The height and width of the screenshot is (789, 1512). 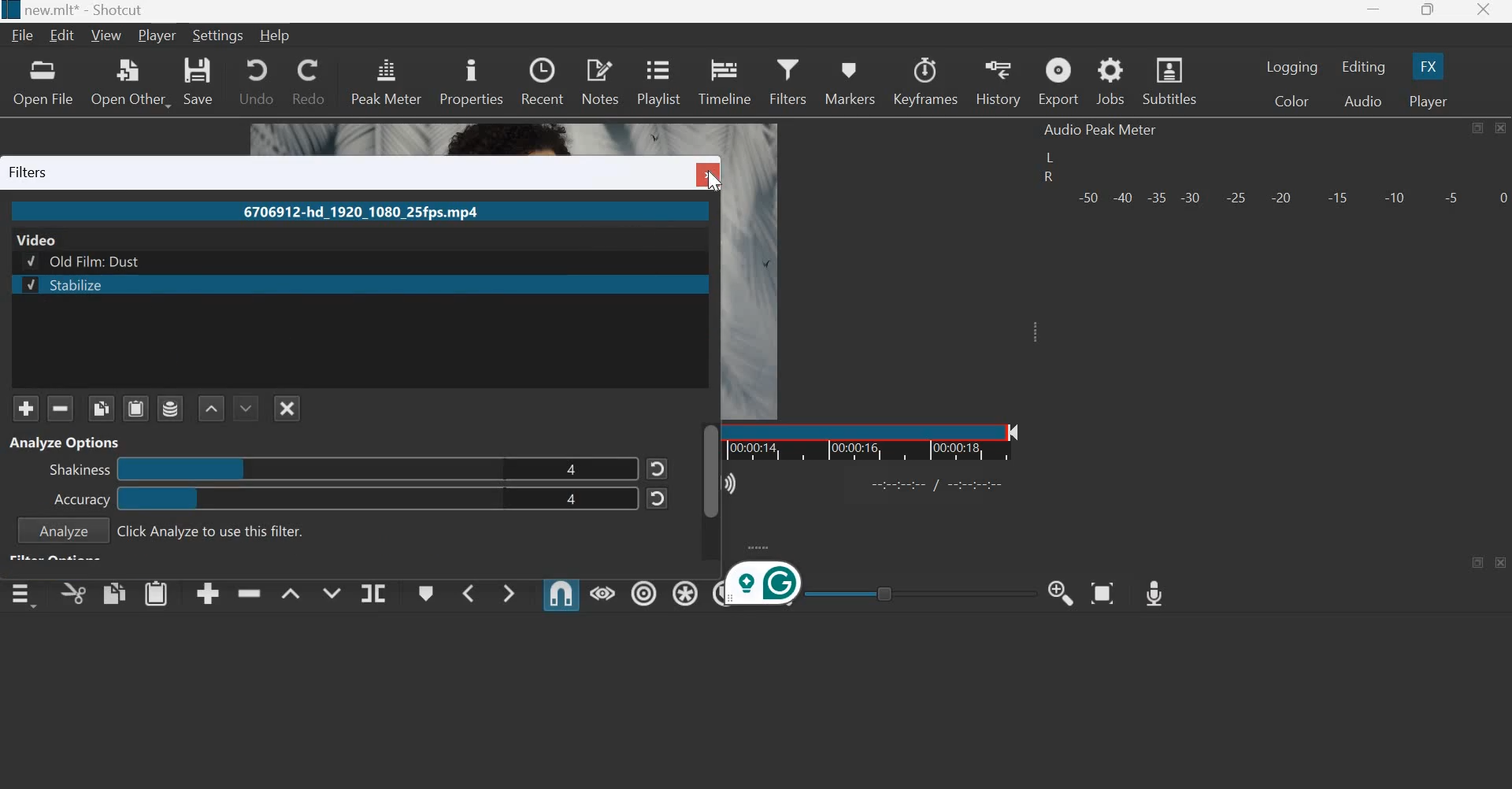 I want to click on Timeline, so click(x=894, y=441).